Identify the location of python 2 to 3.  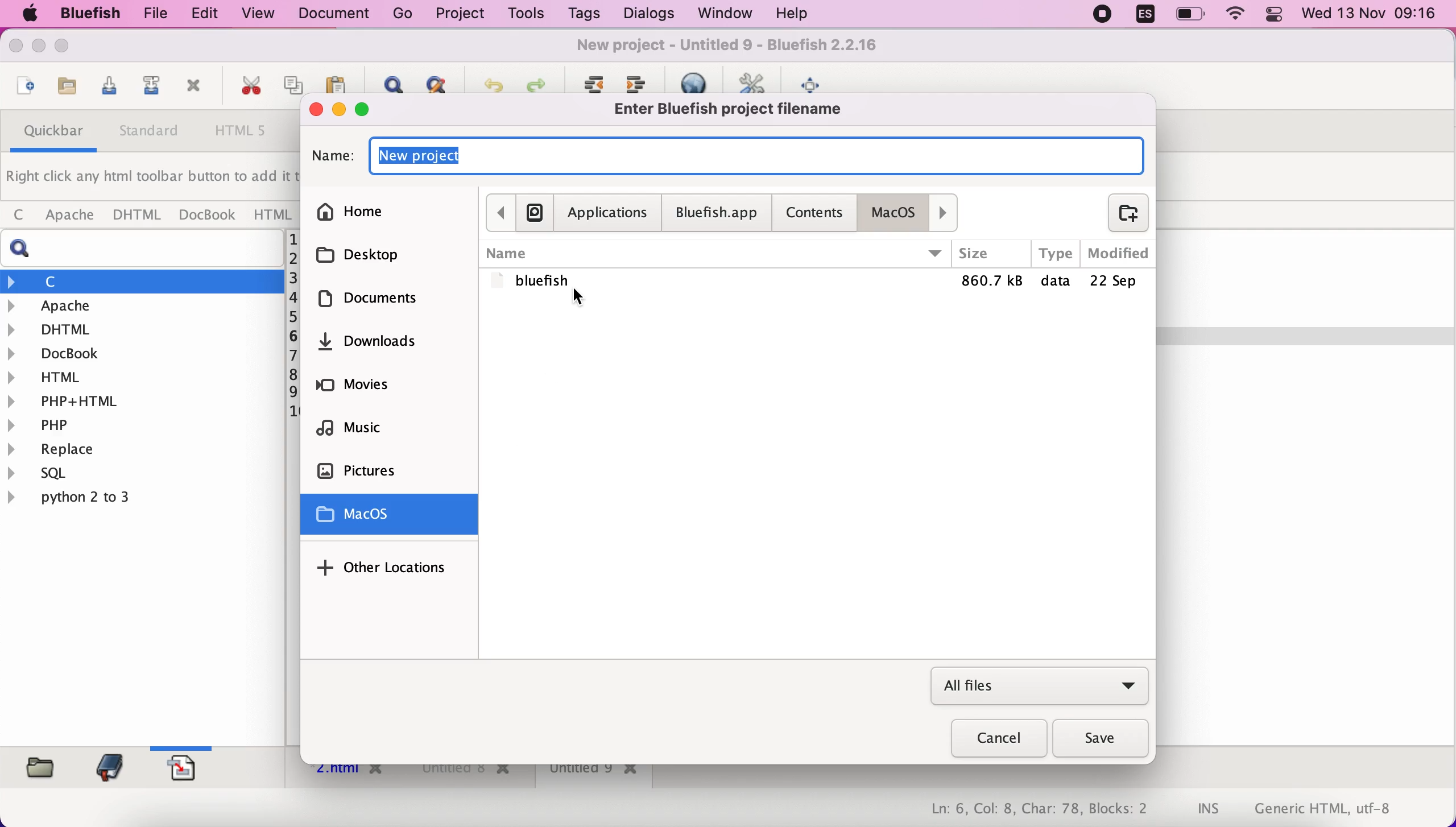
(88, 497).